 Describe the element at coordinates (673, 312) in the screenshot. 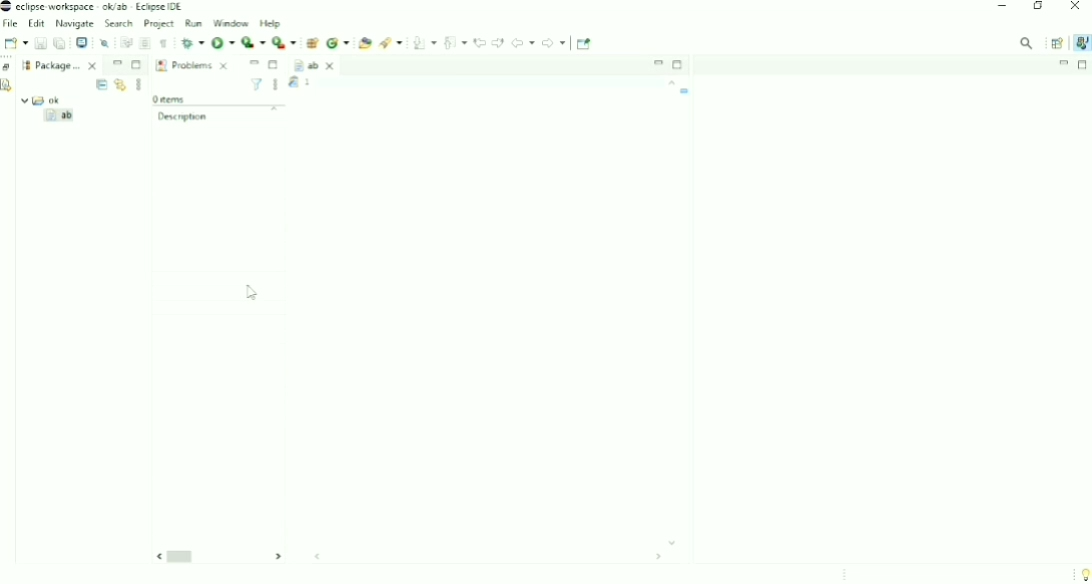

I see `Vertical scrollbar` at that location.